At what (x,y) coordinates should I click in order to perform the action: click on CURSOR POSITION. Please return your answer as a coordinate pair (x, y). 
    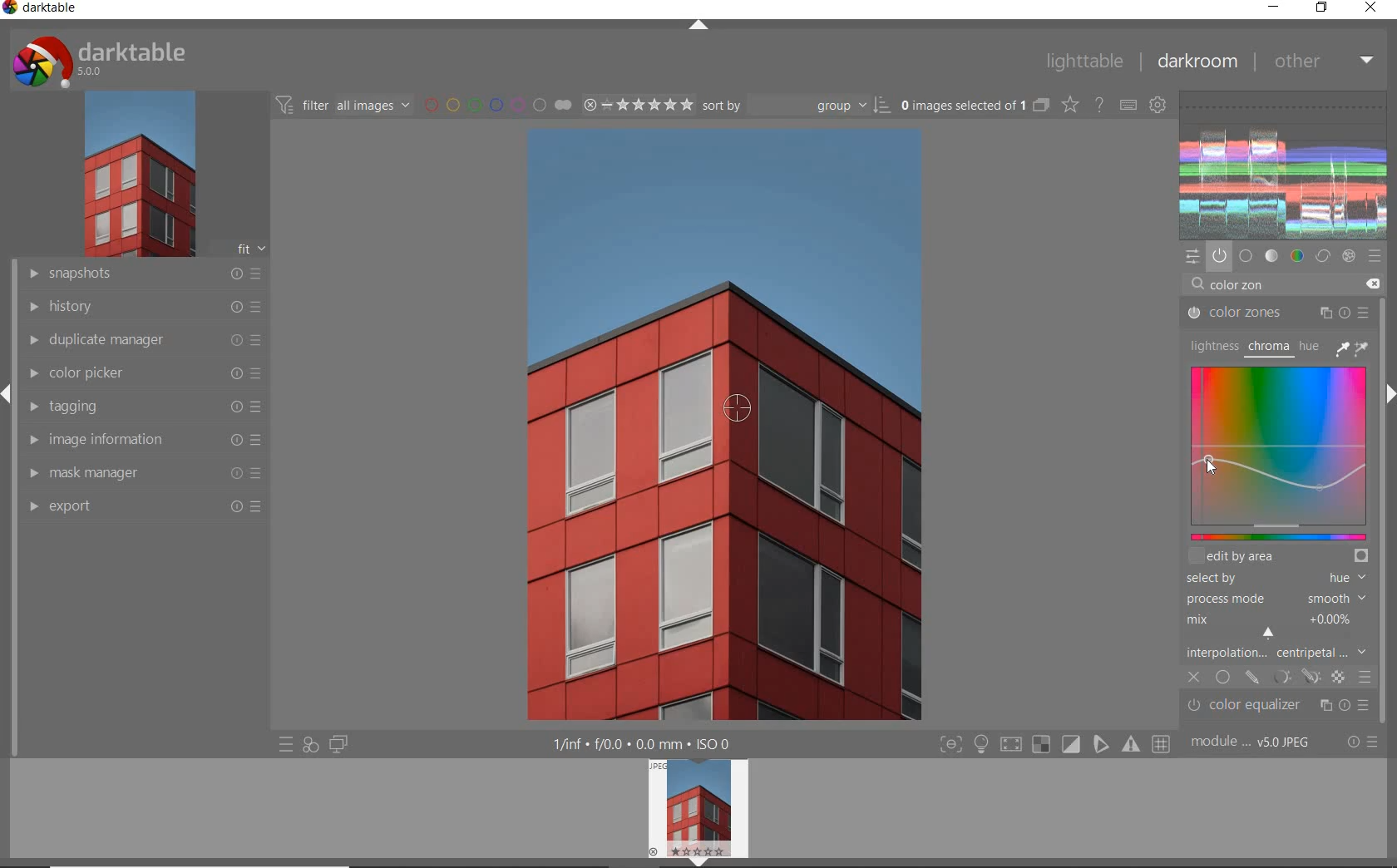
    Looking at the image, I should click on (1212, 466).